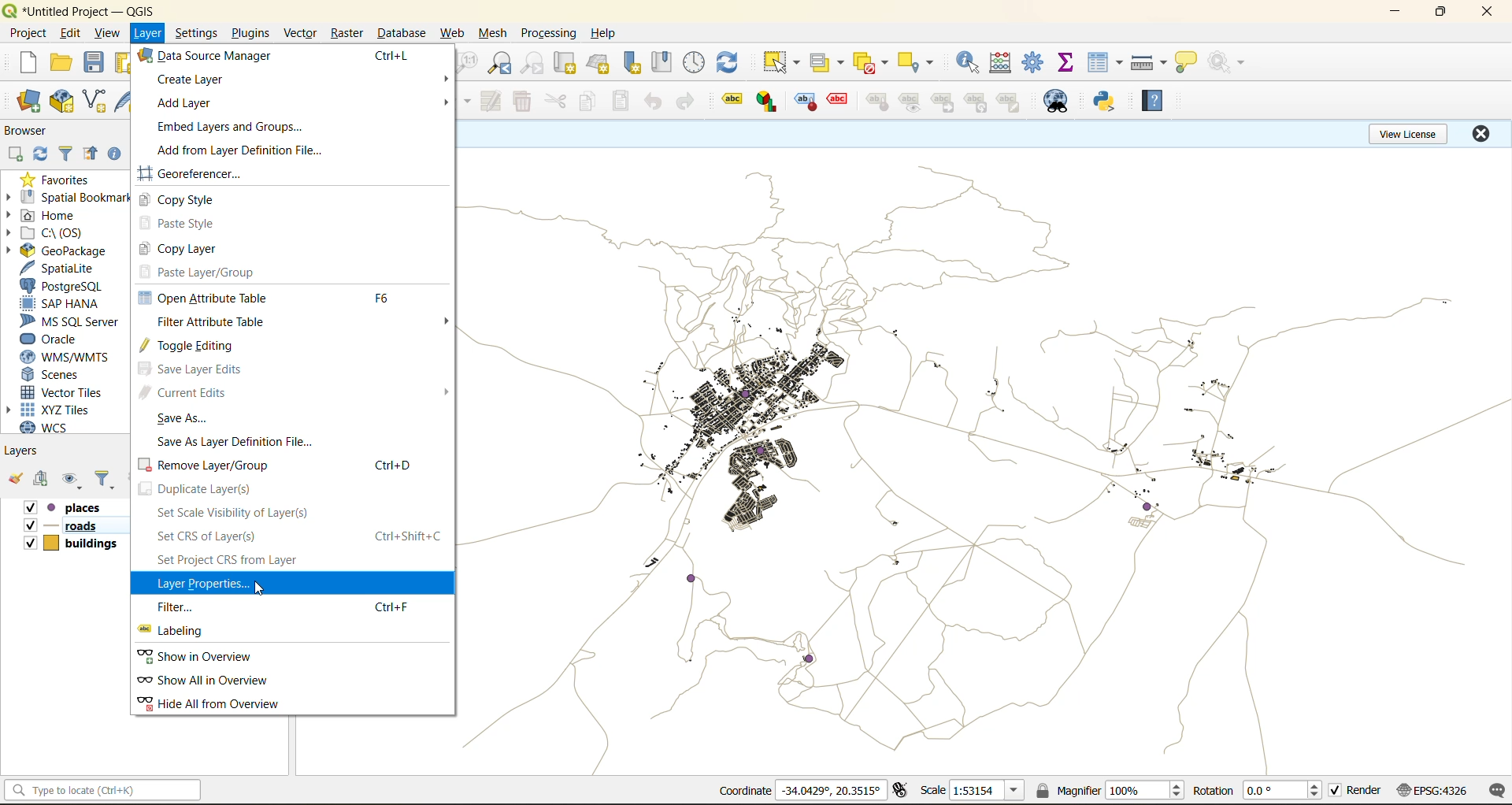 This screenshot has width=1512, height=805. Describe the element at coordinates (203, 370) in the screenshot. I see `save layer edits` at that location.